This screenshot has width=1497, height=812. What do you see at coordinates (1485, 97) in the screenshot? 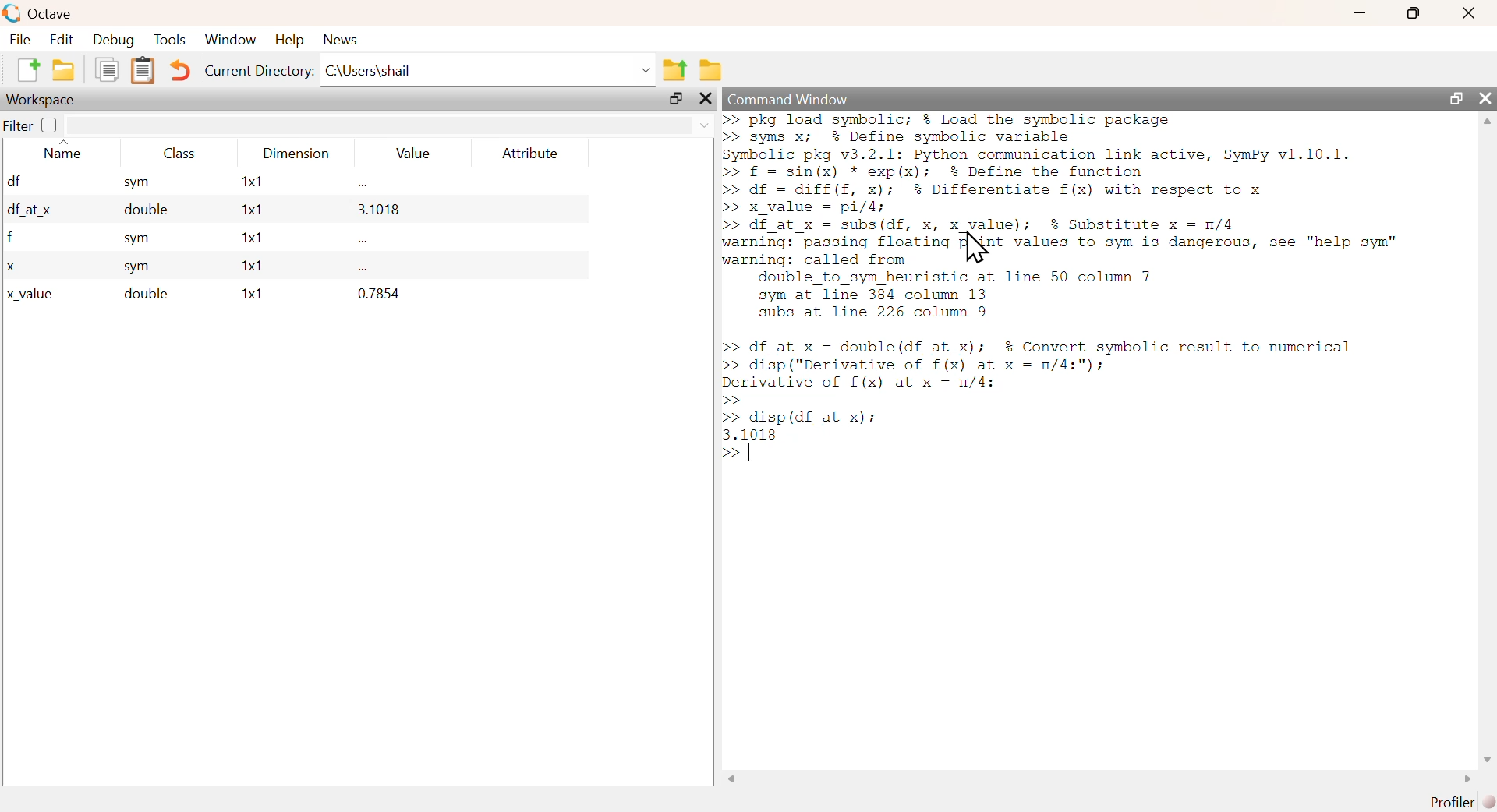
I see `close` at bounding box center [1485, 97].